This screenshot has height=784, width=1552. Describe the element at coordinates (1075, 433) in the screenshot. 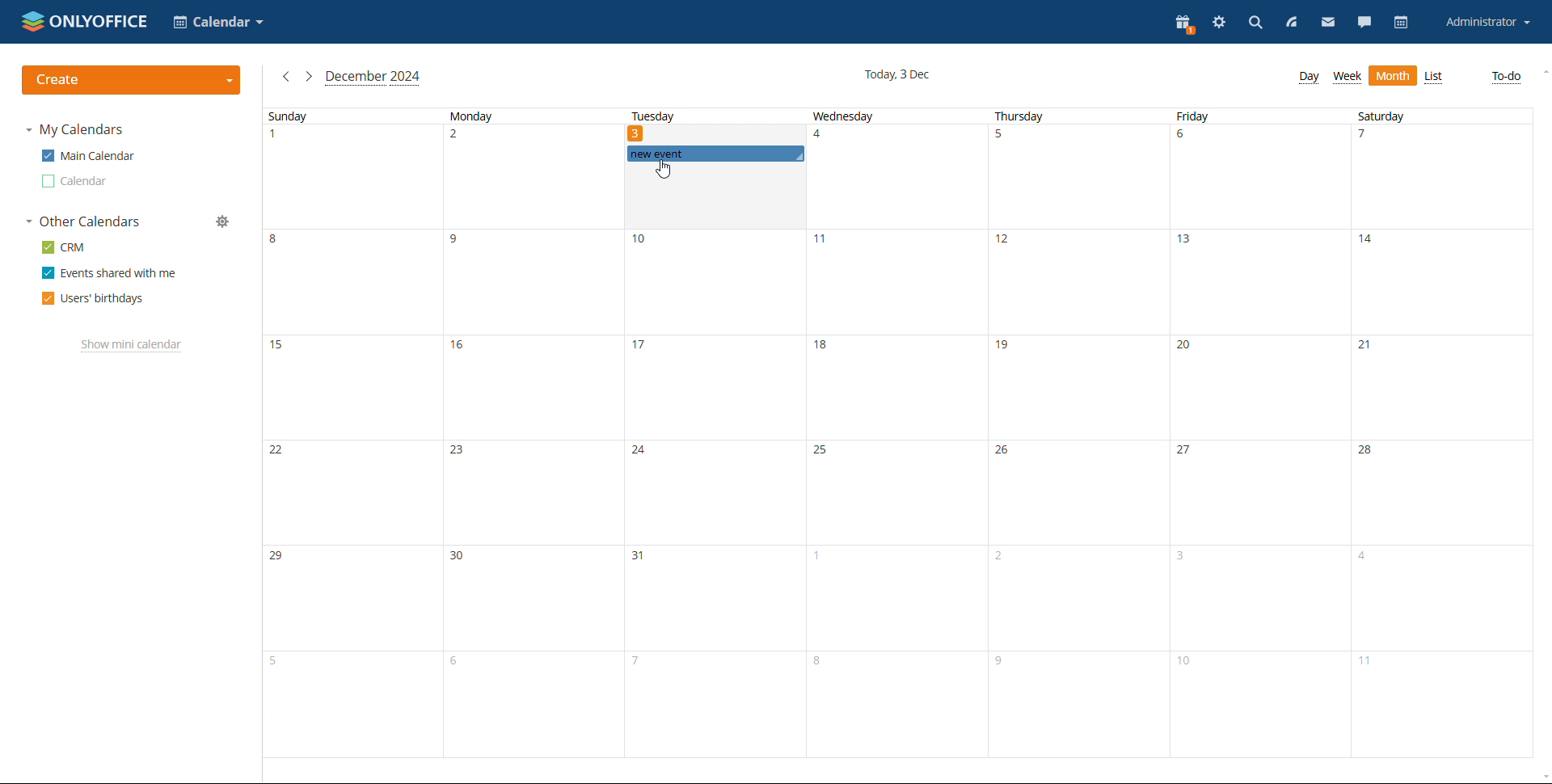

I see `thursday` at that location.